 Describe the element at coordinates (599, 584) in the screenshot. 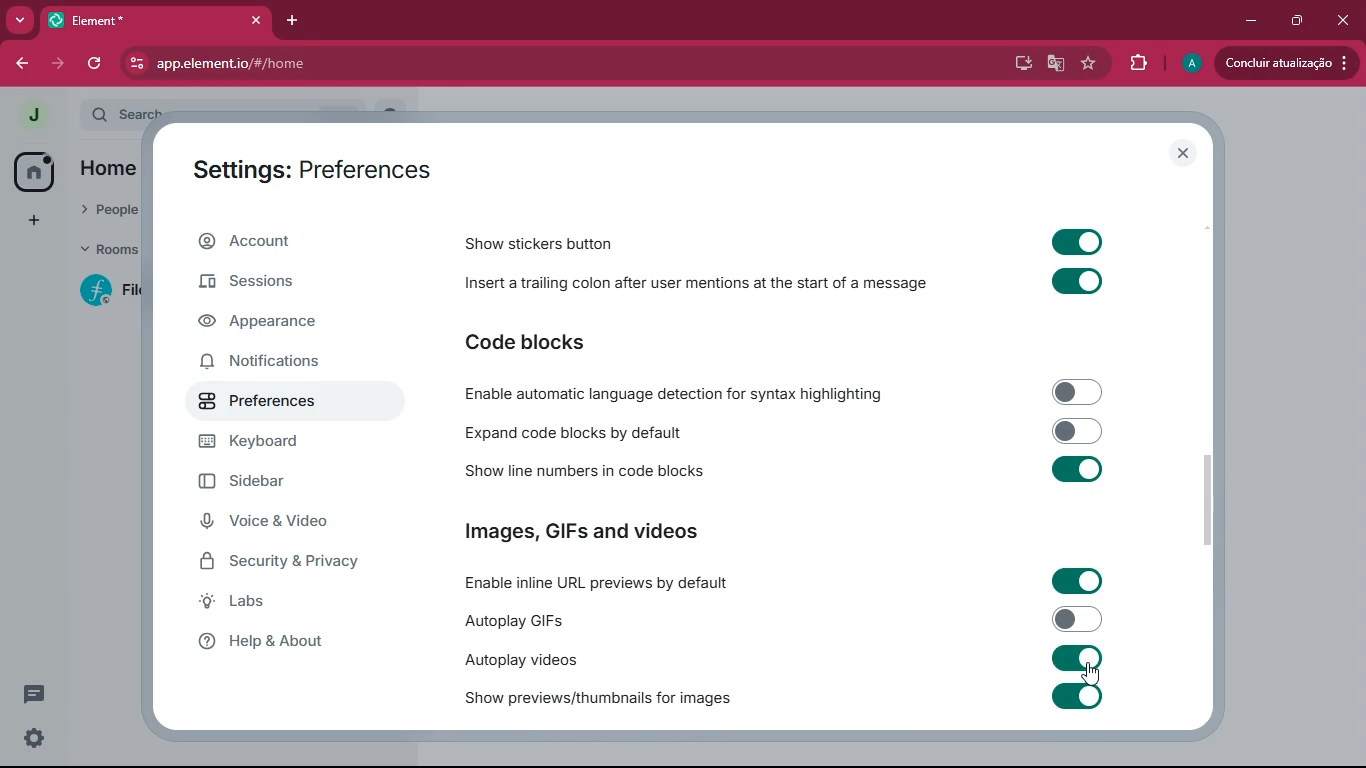

I see `enable inline` at that location.